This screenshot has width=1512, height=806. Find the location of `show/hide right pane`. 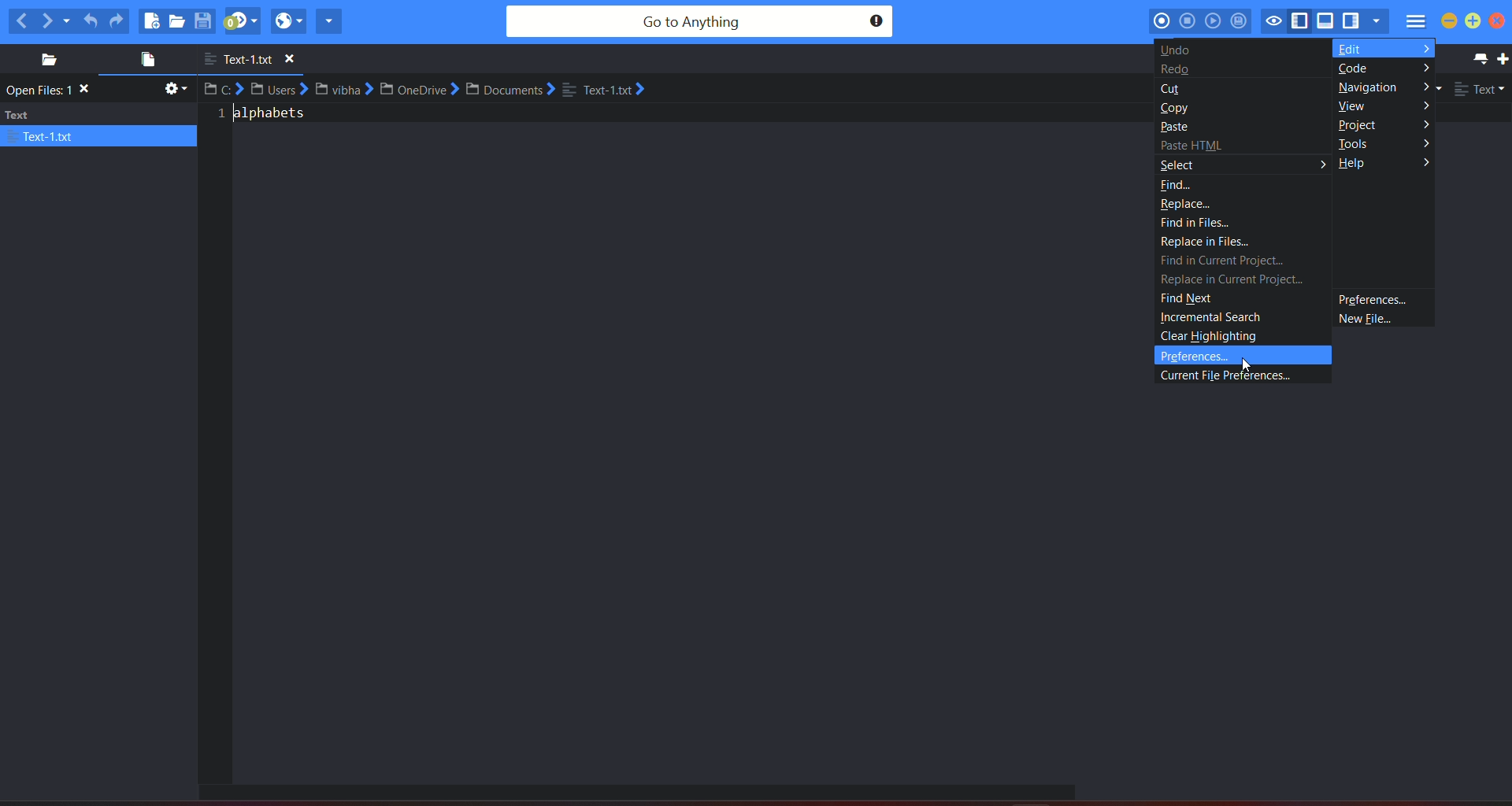

show/hide right pane is located at coordinates (1351, 23).